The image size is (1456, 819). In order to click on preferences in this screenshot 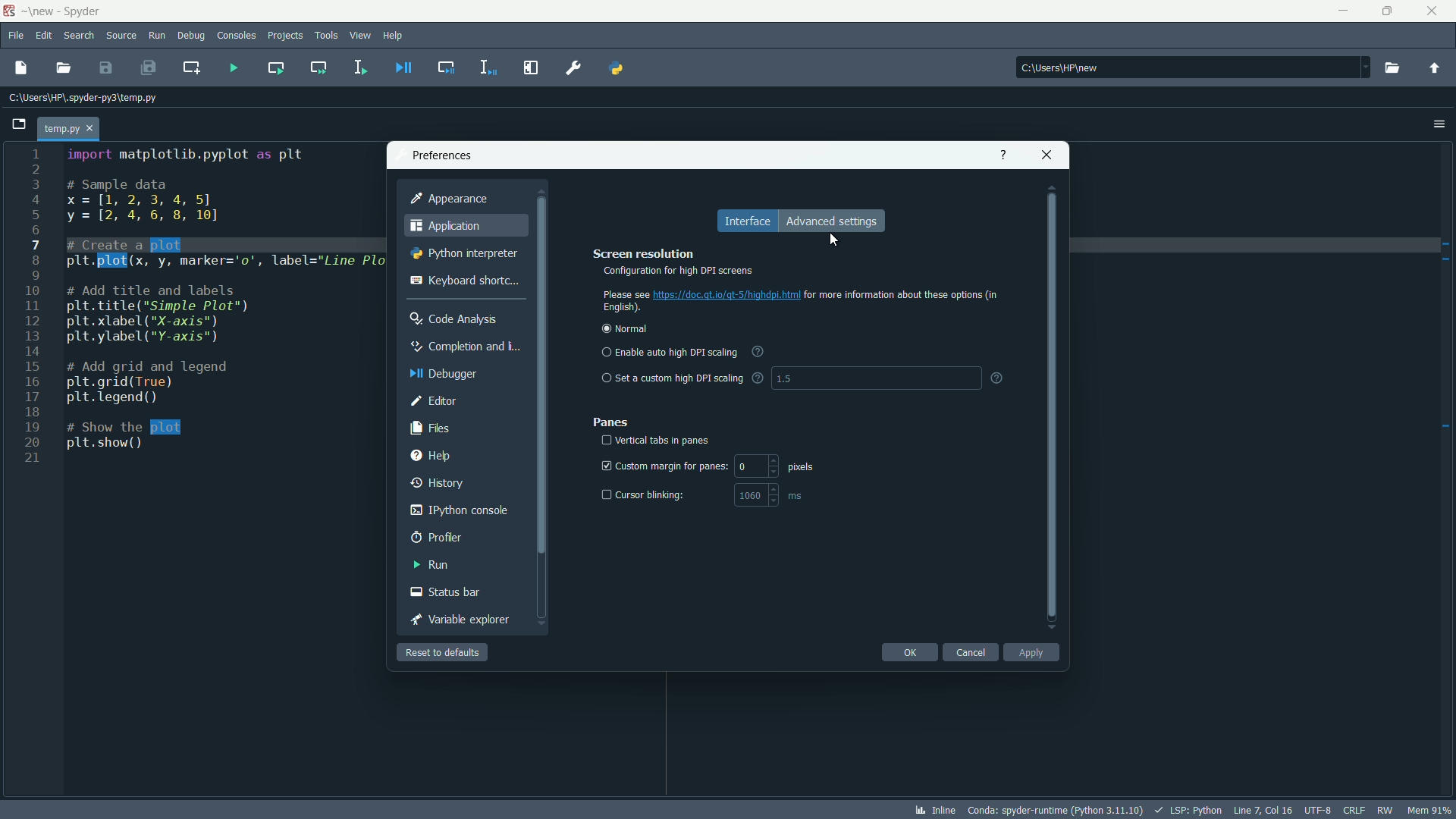, I will do `click(575, 67)`.